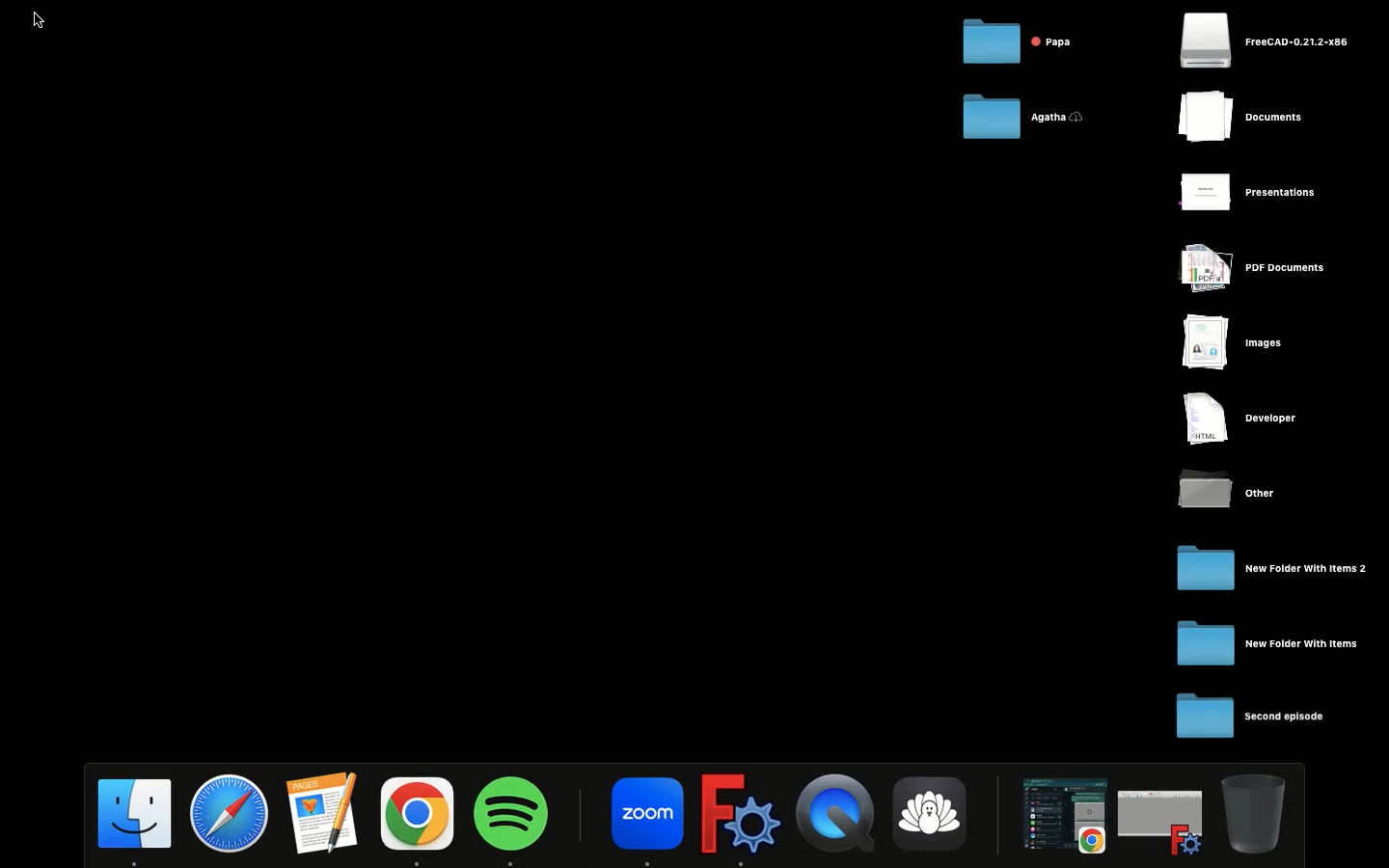  Describe the element at coordinates (136, 819) in the screenshot. I see `Finder` at that location.